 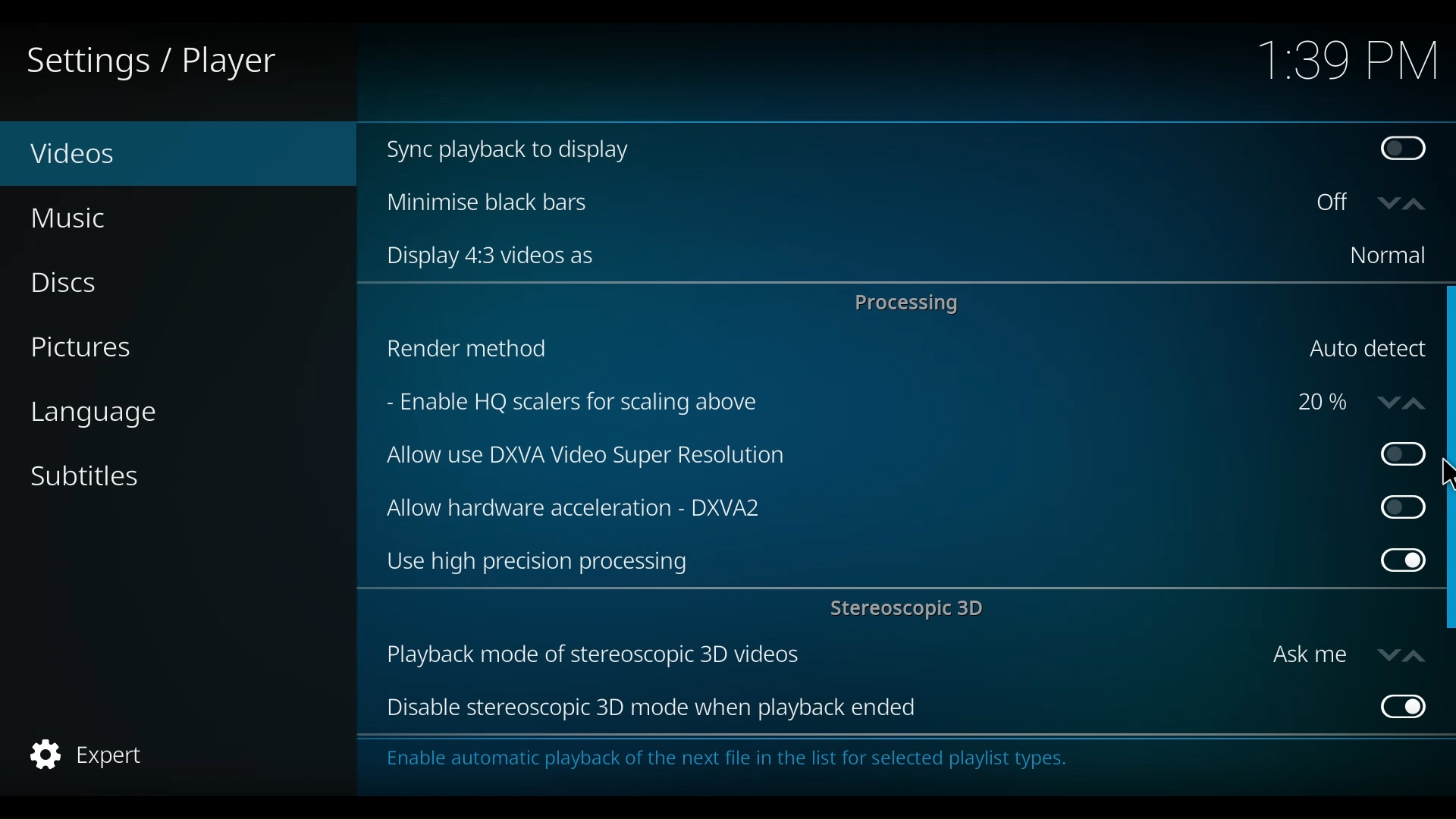 I want to click on Ask me, so click(x=1309, y=655).